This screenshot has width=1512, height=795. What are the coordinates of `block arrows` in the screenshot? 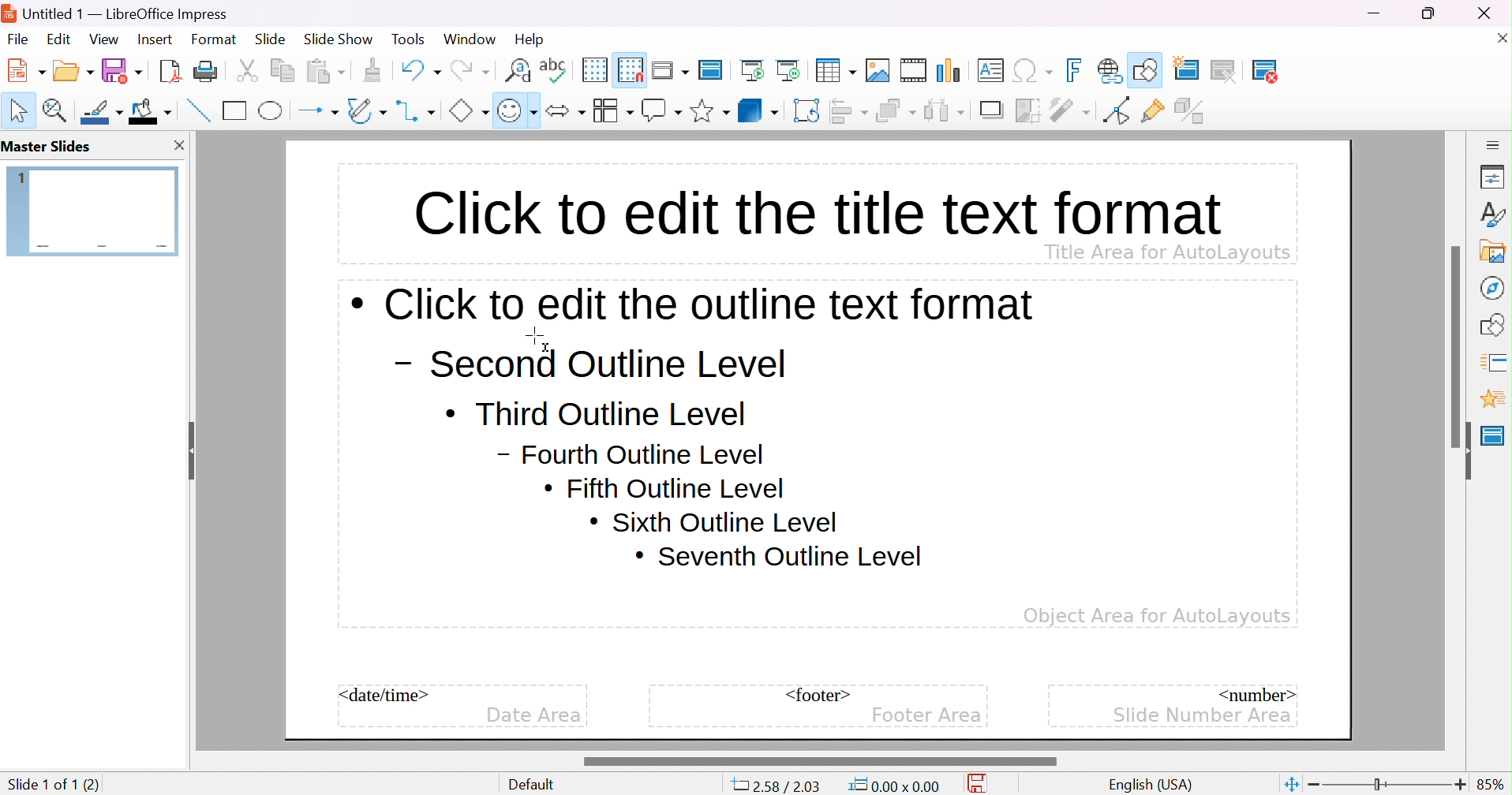 It's located at (565, 110).